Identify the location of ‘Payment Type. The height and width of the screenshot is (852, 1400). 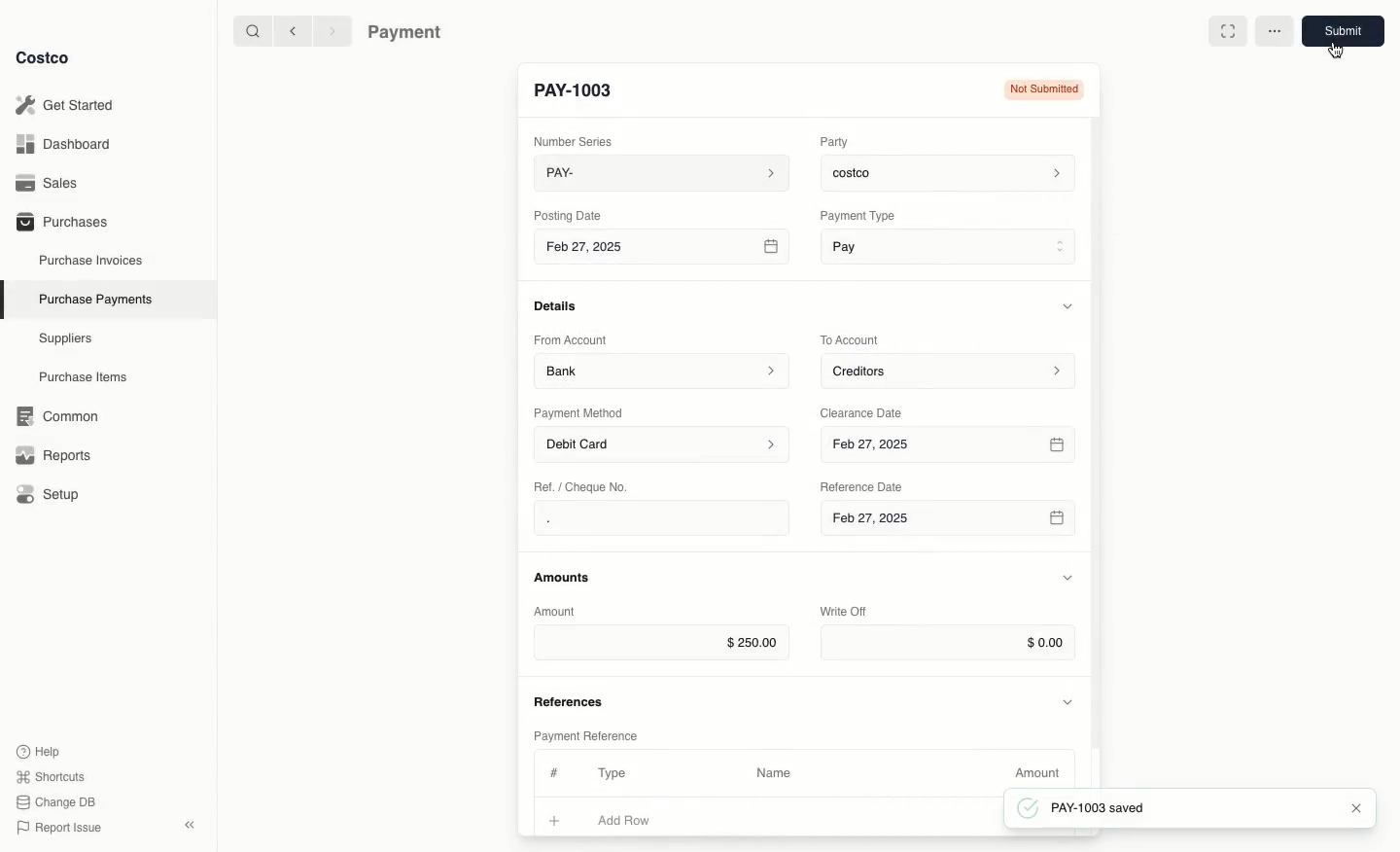
(857, 215).